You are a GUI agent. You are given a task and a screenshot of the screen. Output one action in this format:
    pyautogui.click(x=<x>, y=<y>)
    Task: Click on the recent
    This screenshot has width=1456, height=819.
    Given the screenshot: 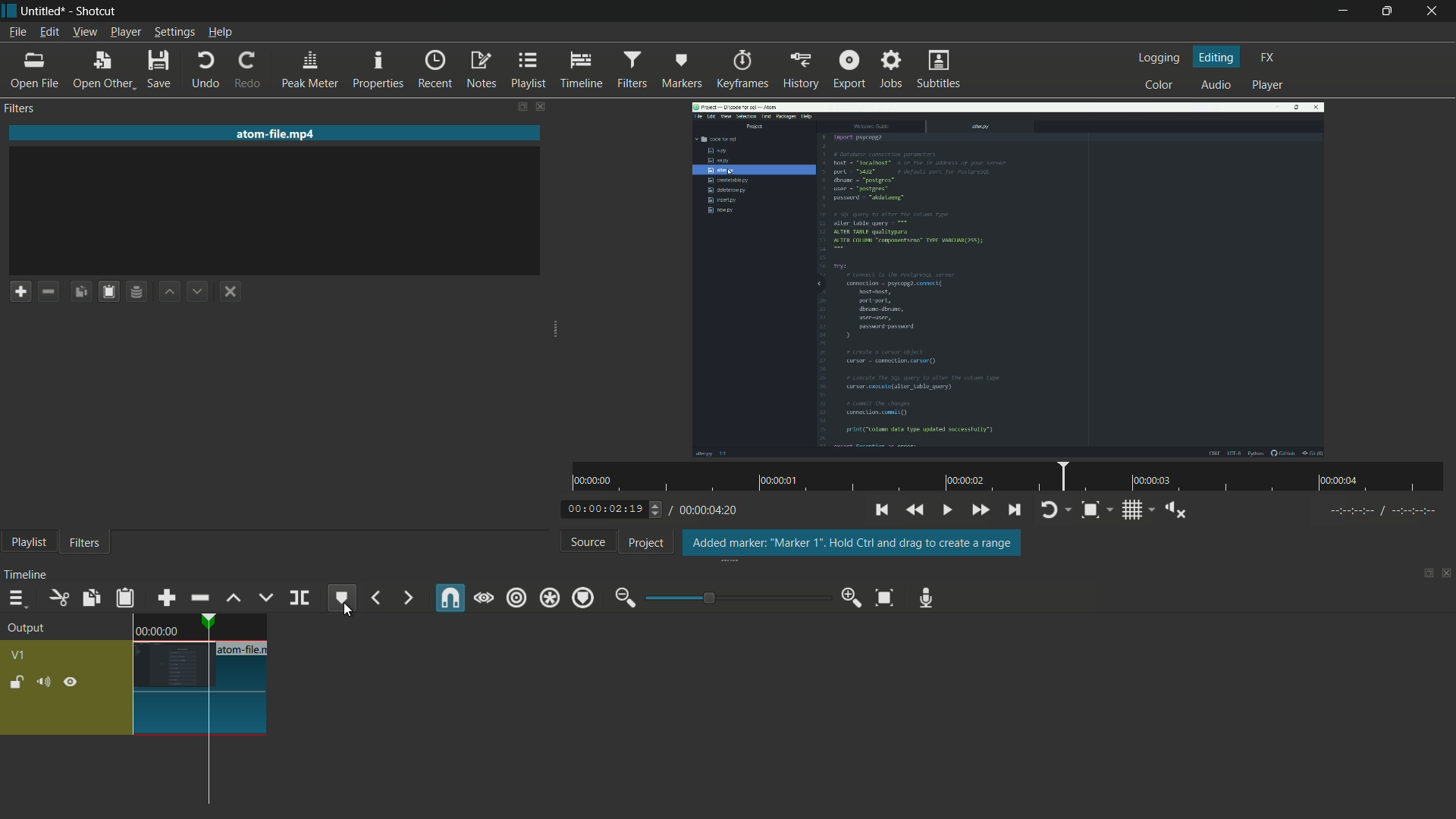 What is the action you would take?
    pyautogui.click(x=431, y=71)
    